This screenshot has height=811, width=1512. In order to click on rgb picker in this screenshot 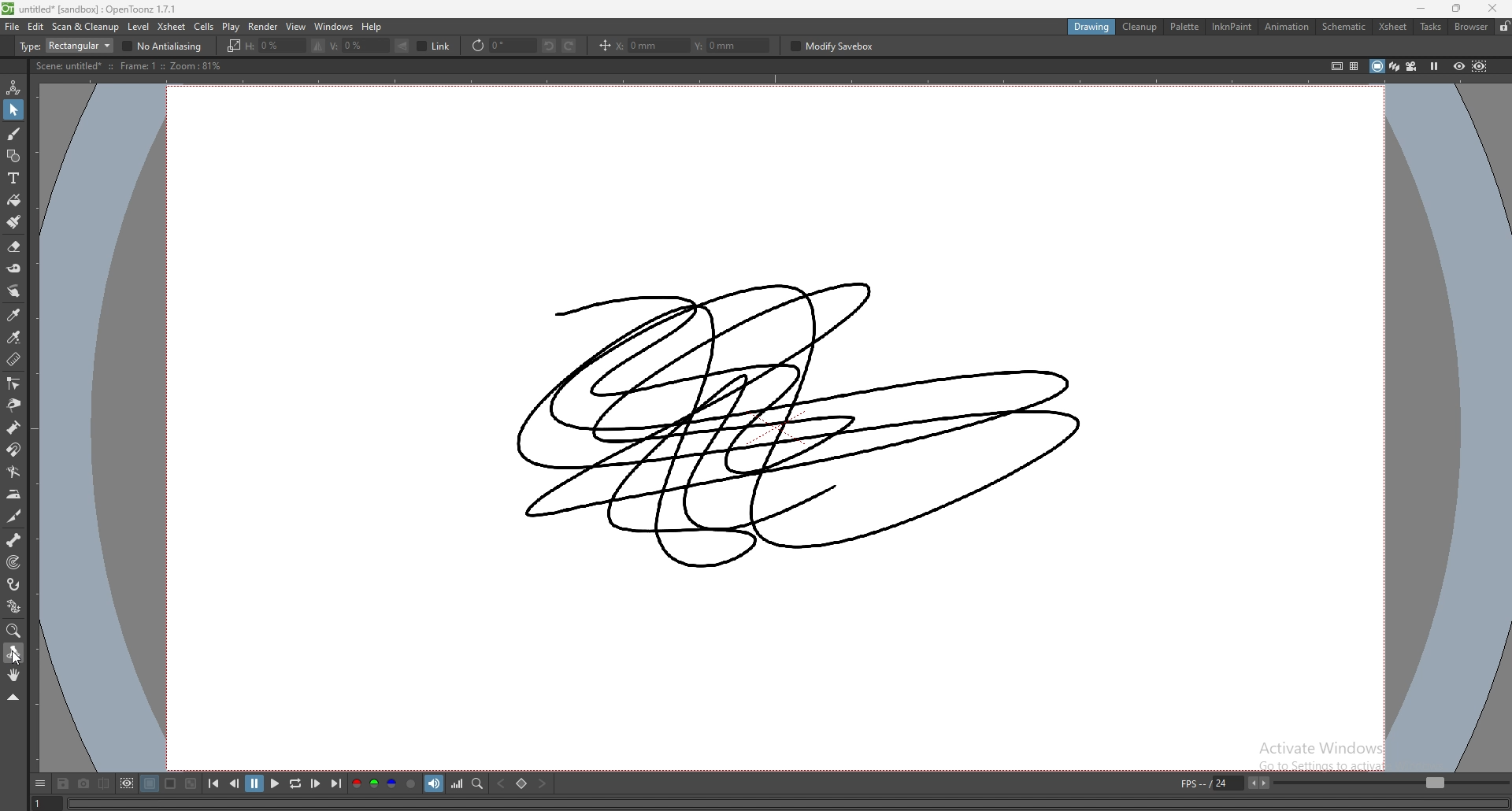, I will do `click(14, 338)`.